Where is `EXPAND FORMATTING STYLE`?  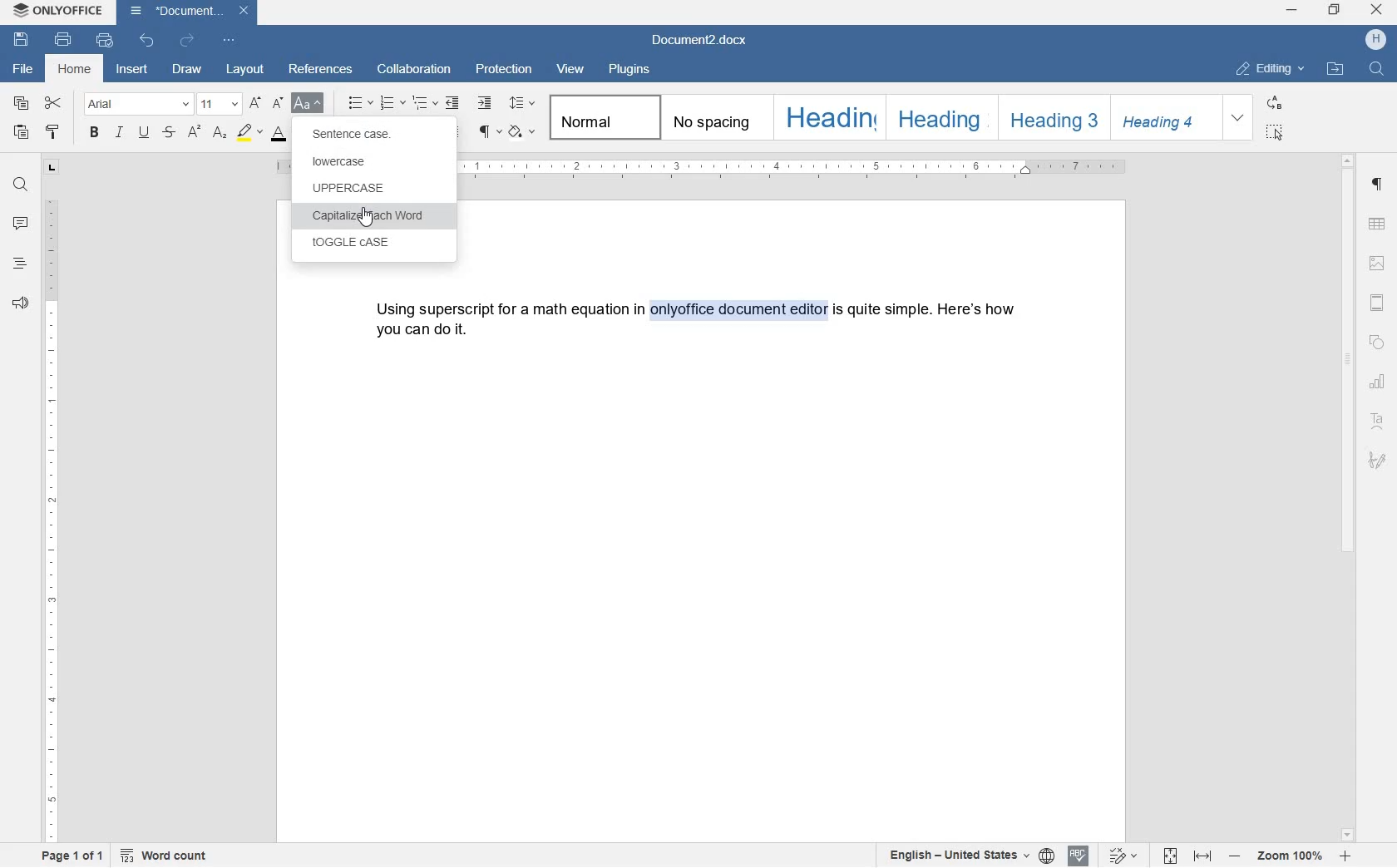 EXPAND FORMATTING STYLE is located at coordinates (1240, 118).